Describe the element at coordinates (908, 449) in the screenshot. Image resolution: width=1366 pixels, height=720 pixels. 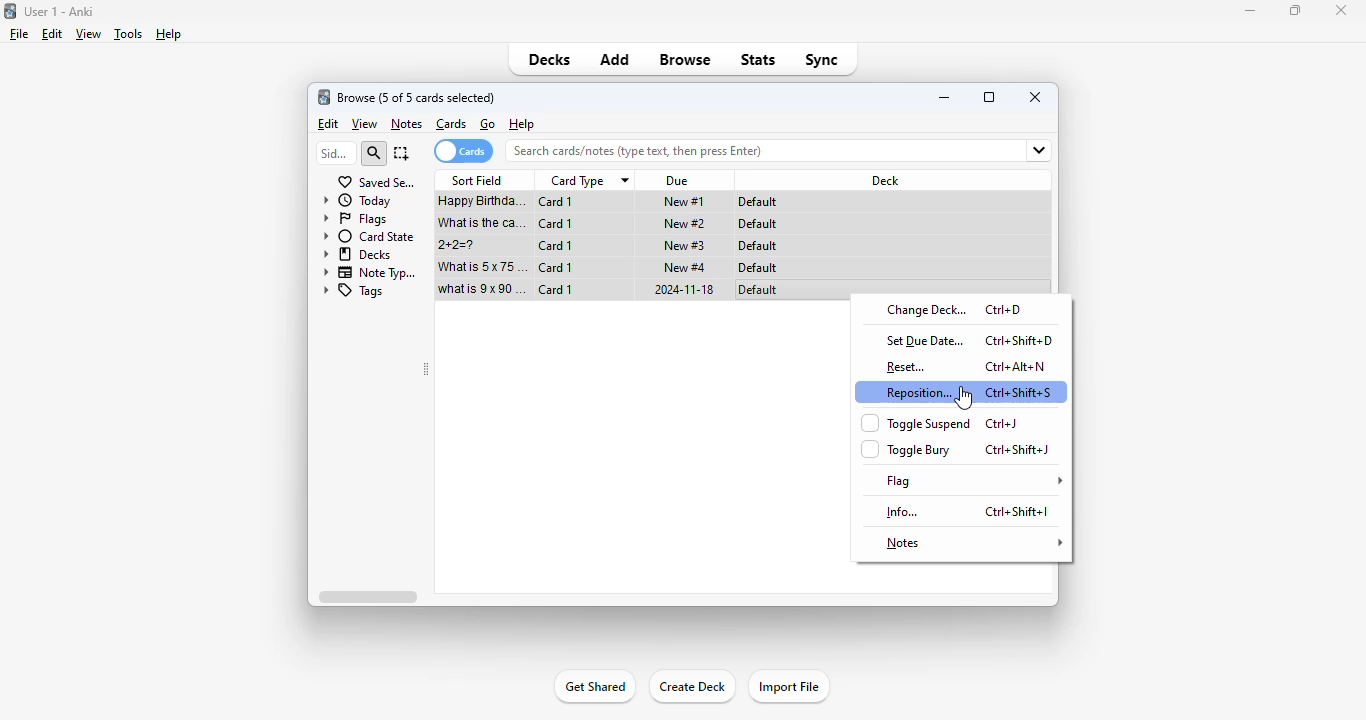
I see `toggle bury` at that location.